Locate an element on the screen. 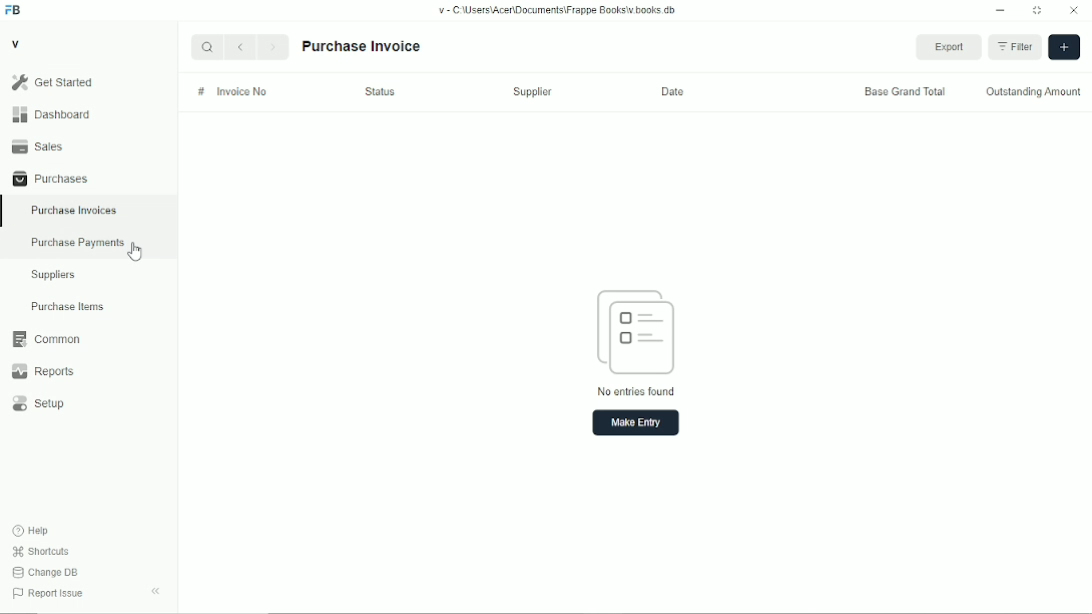 The image size is (1092, 614). Common is located at coordinates (89, 339).